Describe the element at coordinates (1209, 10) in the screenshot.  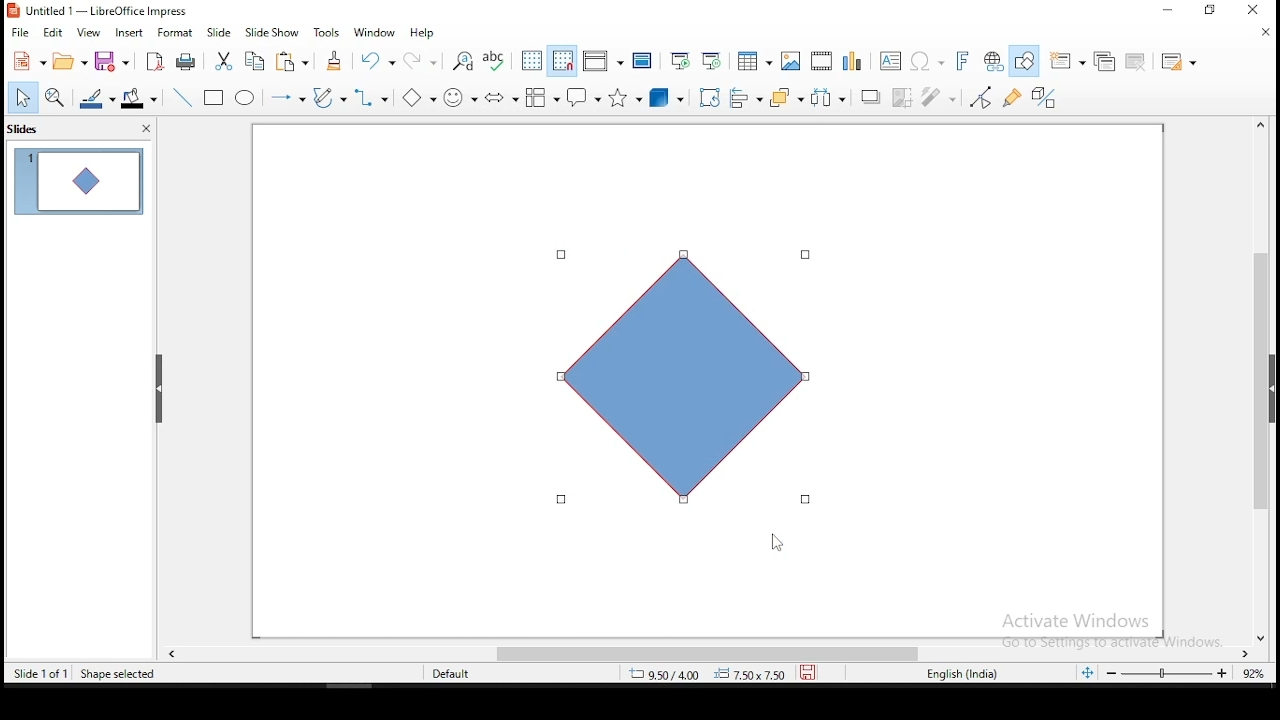
I see `restore` at that location.